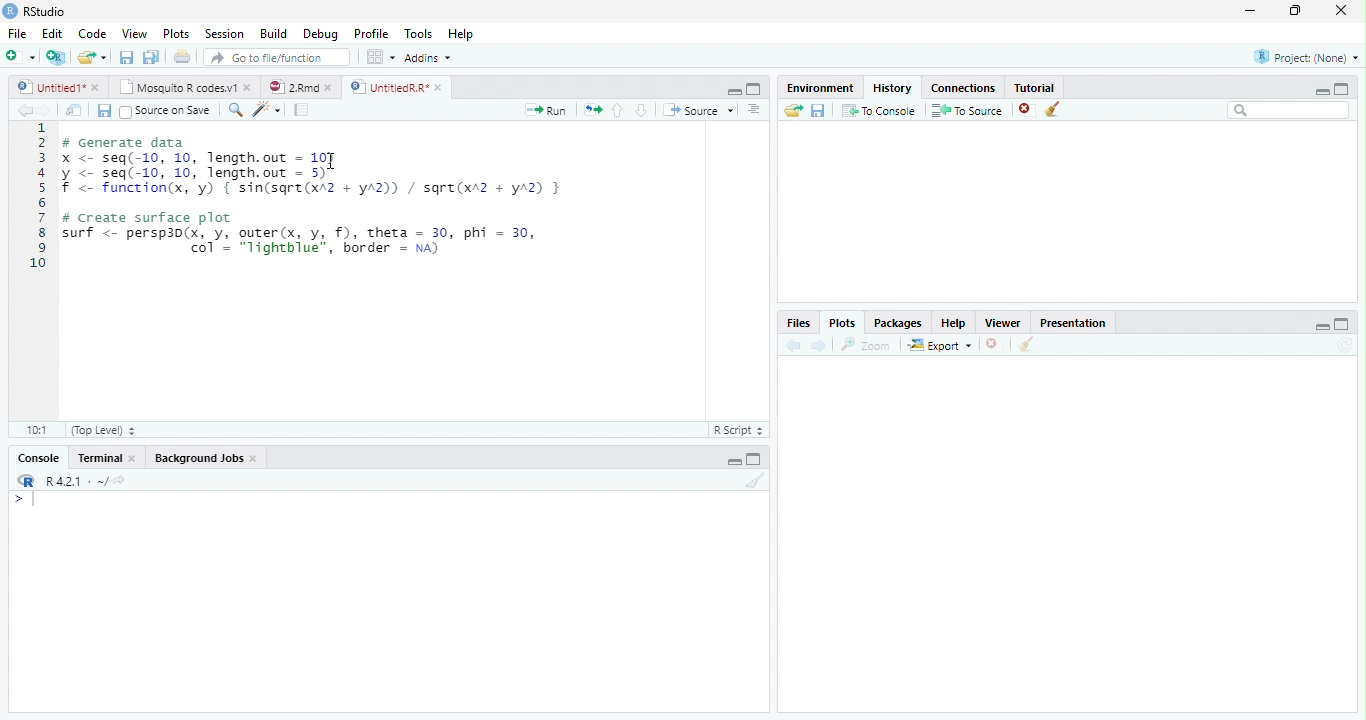 This screenshot has height=720, width=1366. What do you see at coordinates (48, 86) in the screenshot?
I see `Untitled1*` at bounding box center [48, 86].